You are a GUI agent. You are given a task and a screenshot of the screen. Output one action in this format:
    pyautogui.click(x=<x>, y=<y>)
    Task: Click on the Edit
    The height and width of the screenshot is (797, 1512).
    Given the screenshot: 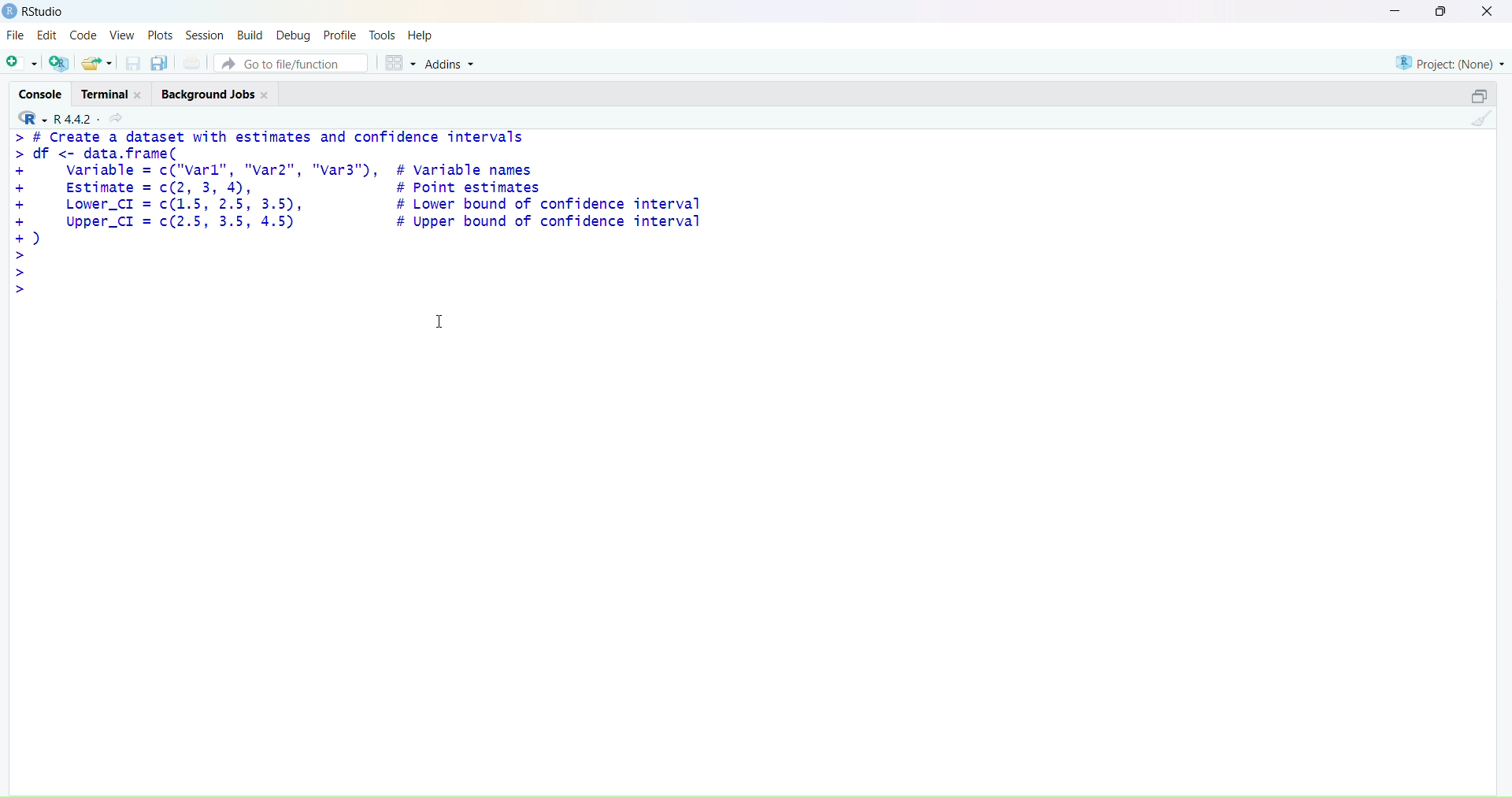 What is the action you would take?
    pyautogui.click(x=46, y=35)
    